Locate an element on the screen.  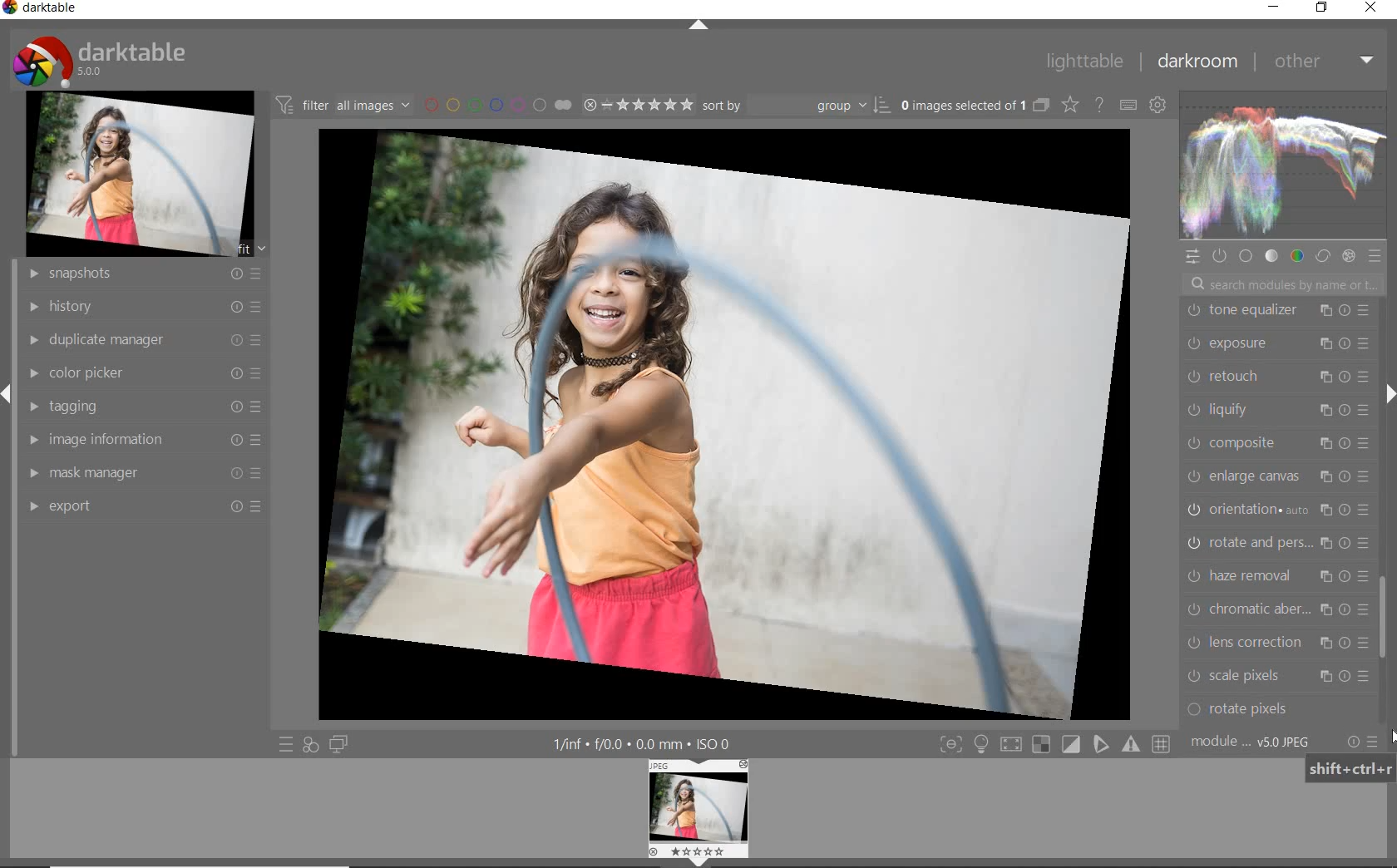
darkroom is located at coordinates (1198, 60).